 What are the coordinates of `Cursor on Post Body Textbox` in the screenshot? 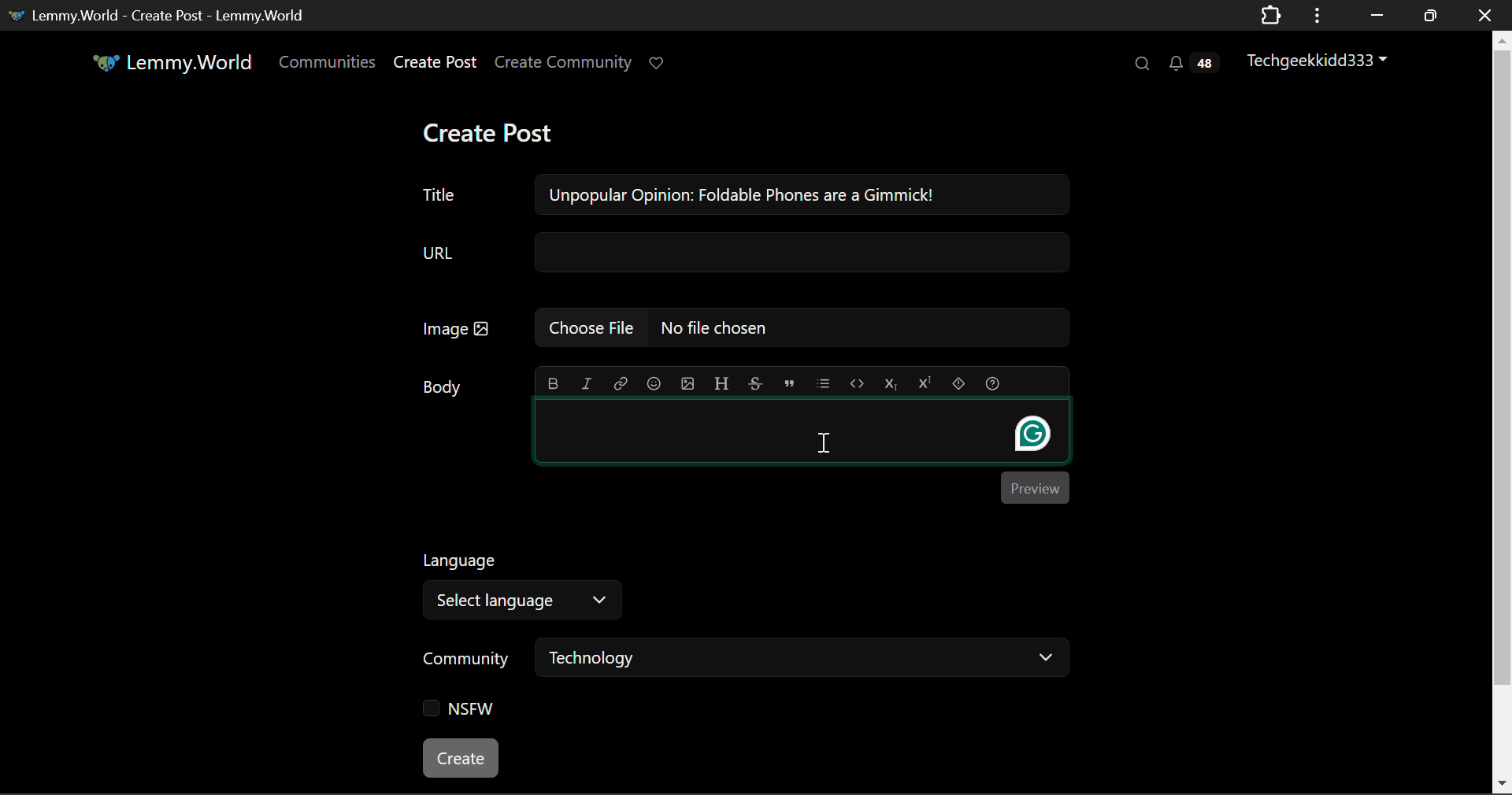 It's located at (824, 443).